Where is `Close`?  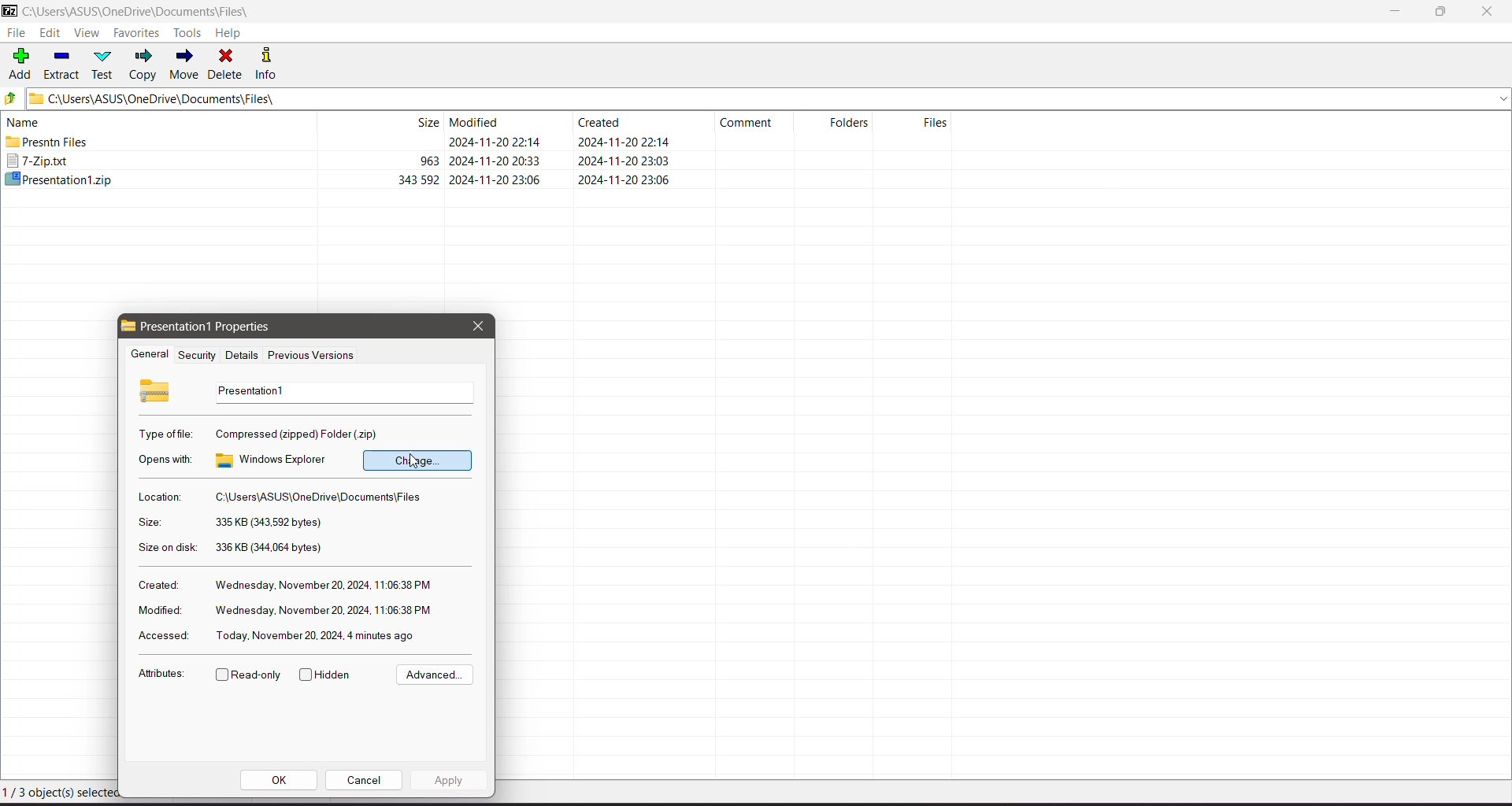
Close is located at coordinates (1490, 12).